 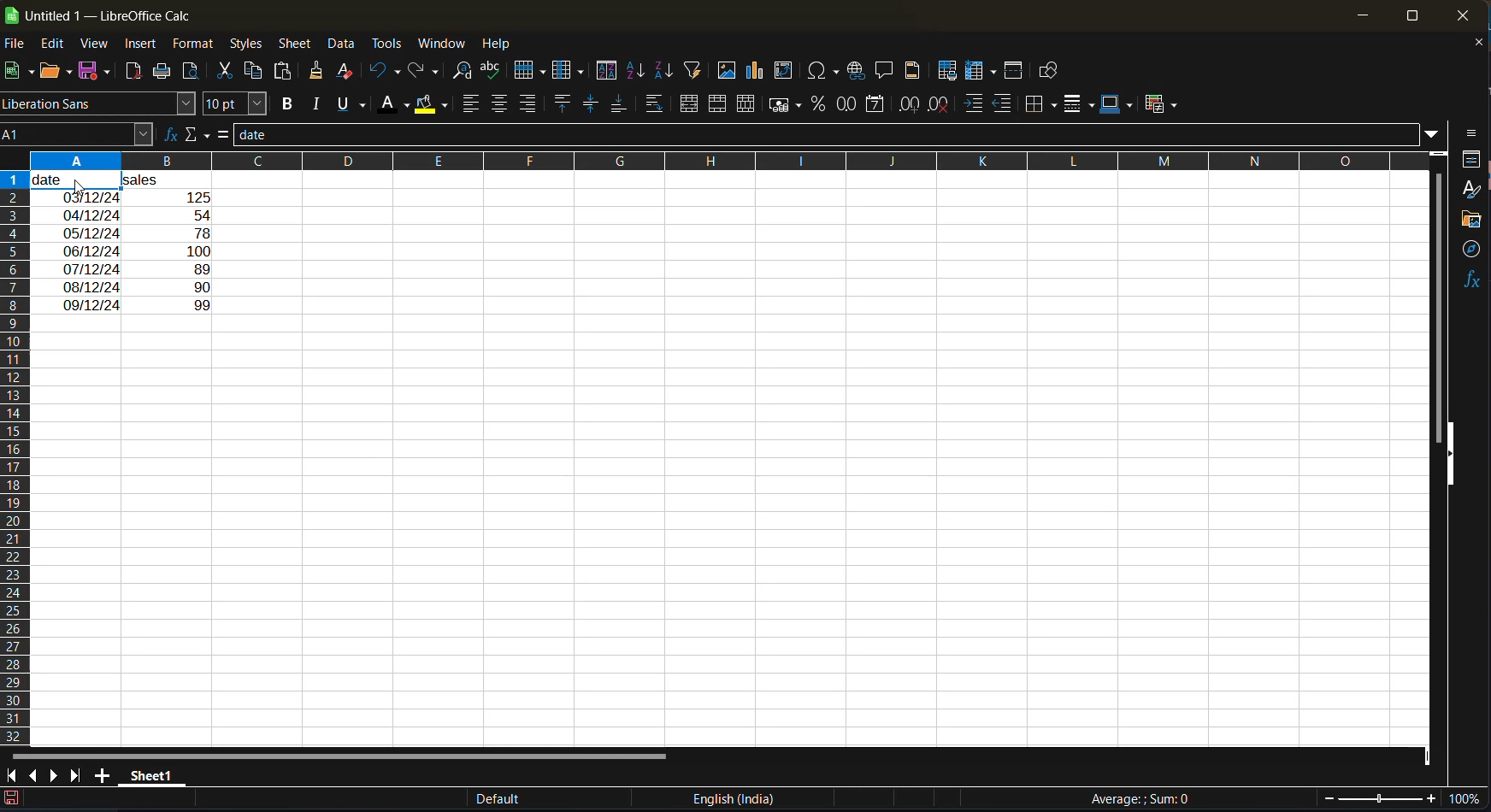 What do you see at coordinates (824, 132) in the screenshot?
I see `input line` at bounding box center [824, 132].